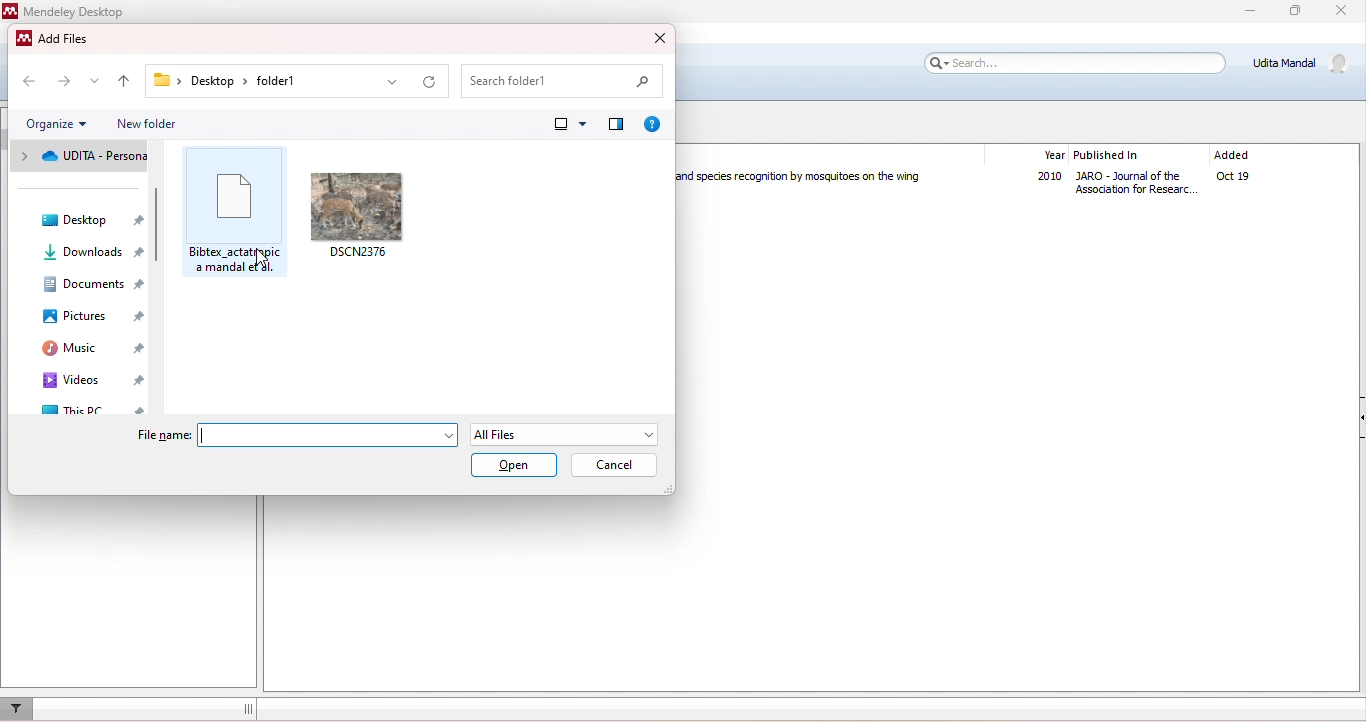 The width and height of the screenshot is (1366, 722). What do you see at coordinates (356, 218) in the screenshot?
I see `DSCN2376` at bounding box center [356, 218].